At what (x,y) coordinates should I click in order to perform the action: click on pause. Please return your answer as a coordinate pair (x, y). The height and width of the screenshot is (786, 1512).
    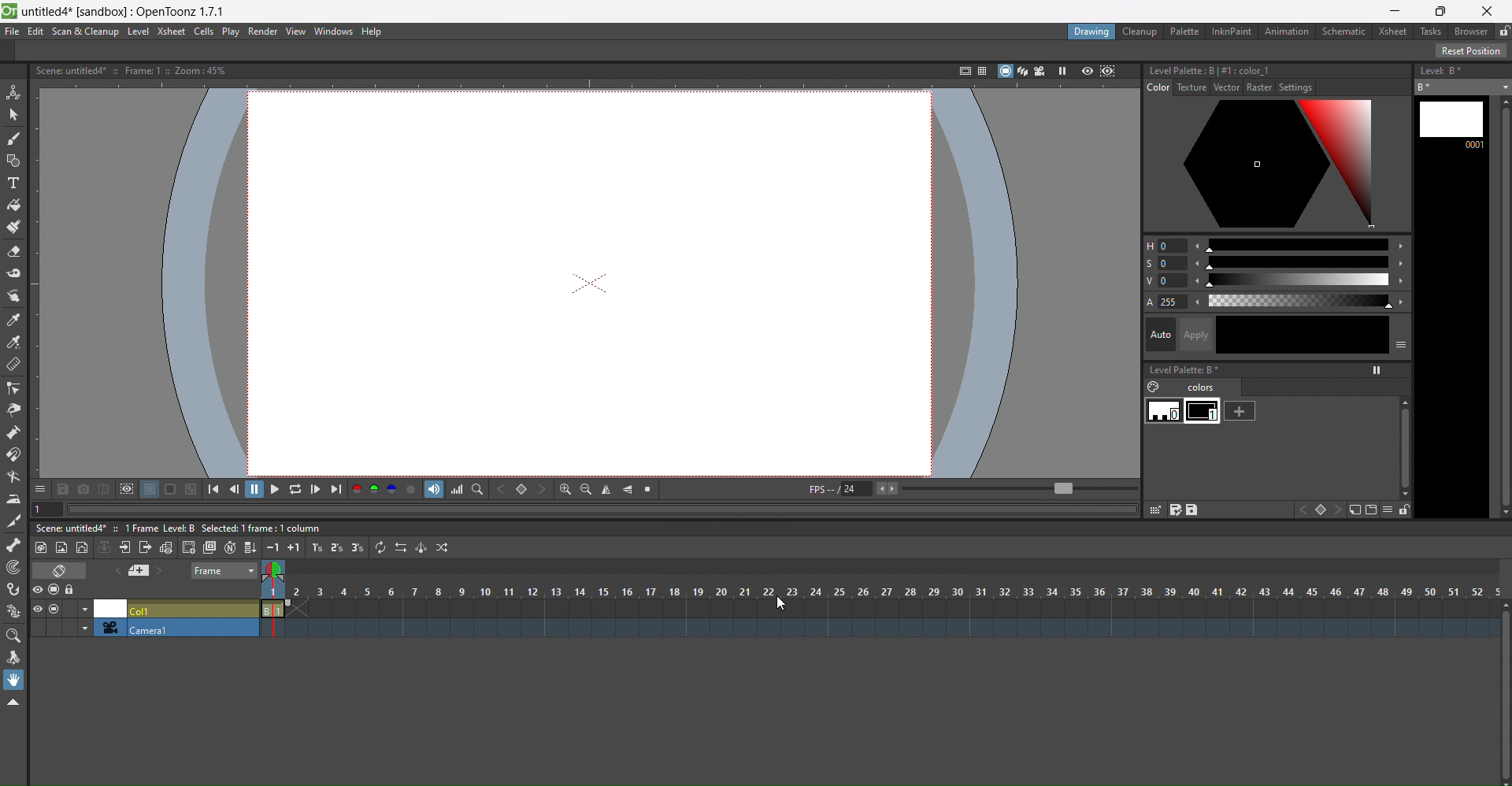
    Looking at the image, I should click on (255, 489).